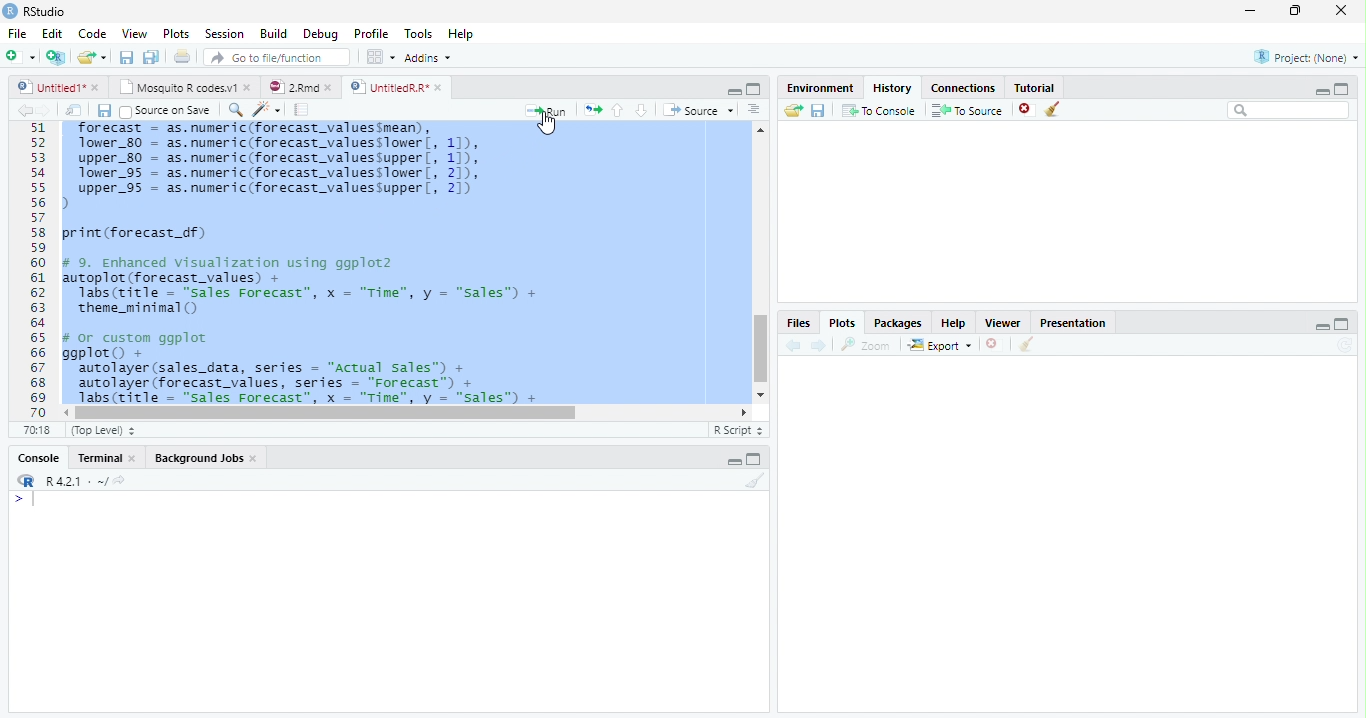 This screenshot has height=718, width=1366. What do you see at coordinates (430, 57) in the screenshot?
I see `Addins` at bounding box center [430, 57].